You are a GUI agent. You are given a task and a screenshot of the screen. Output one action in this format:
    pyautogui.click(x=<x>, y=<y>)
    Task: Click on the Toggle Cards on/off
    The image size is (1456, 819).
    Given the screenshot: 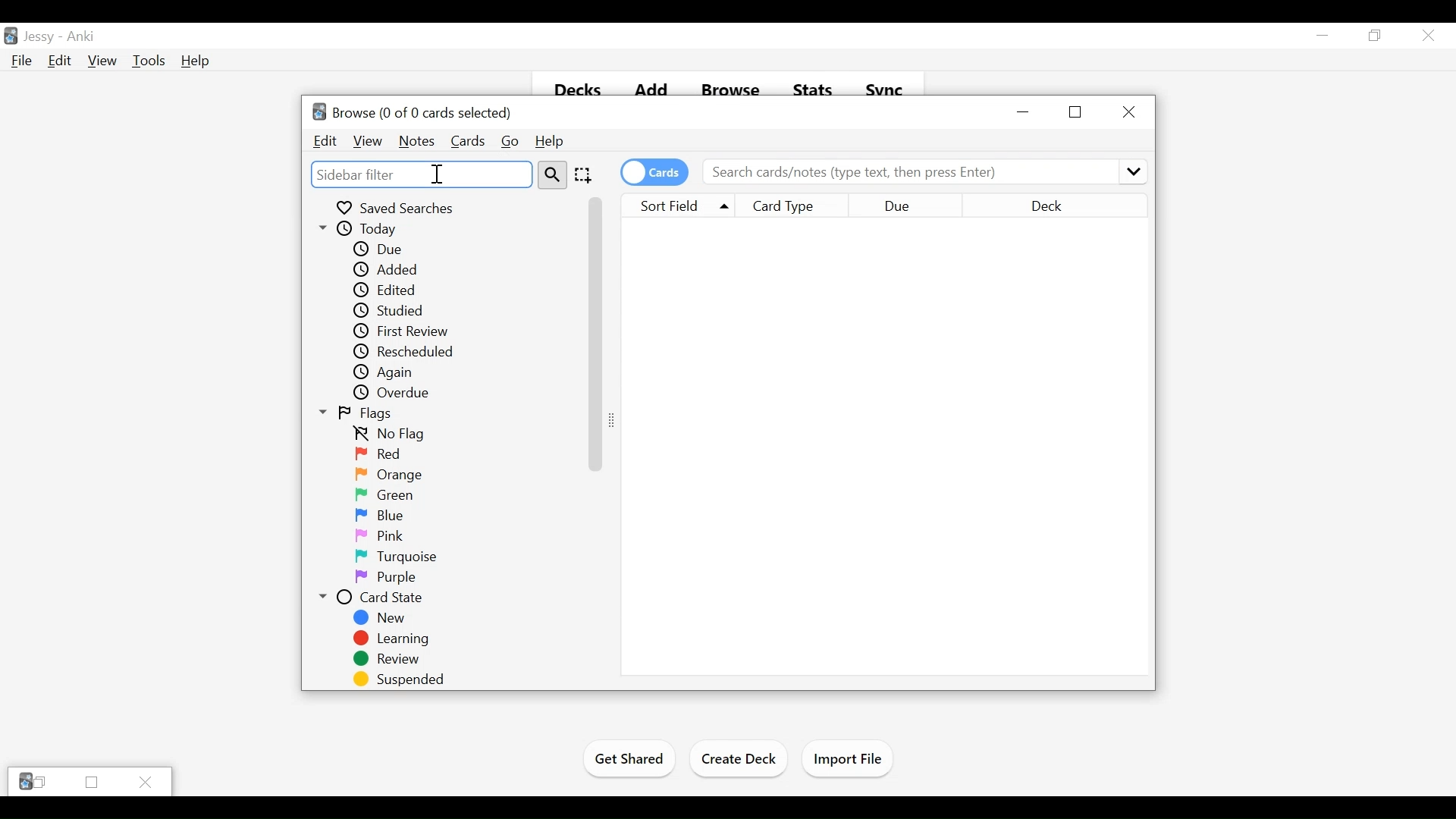 What is the action you would take?
    pyautogui.click(x=654, y=172)
    